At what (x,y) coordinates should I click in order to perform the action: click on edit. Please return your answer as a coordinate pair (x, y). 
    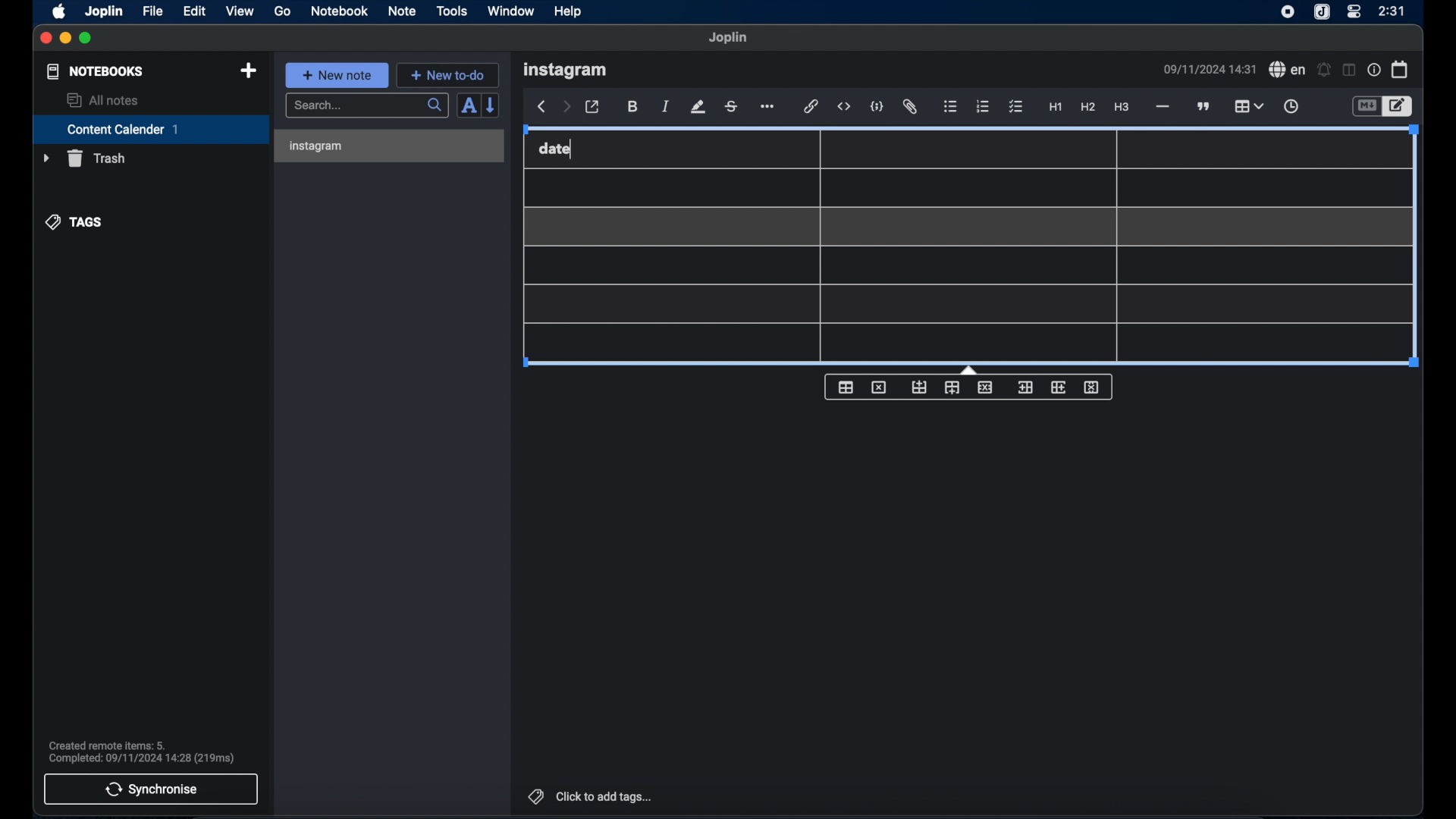
    Looking at the image, I should click on (196, 12).